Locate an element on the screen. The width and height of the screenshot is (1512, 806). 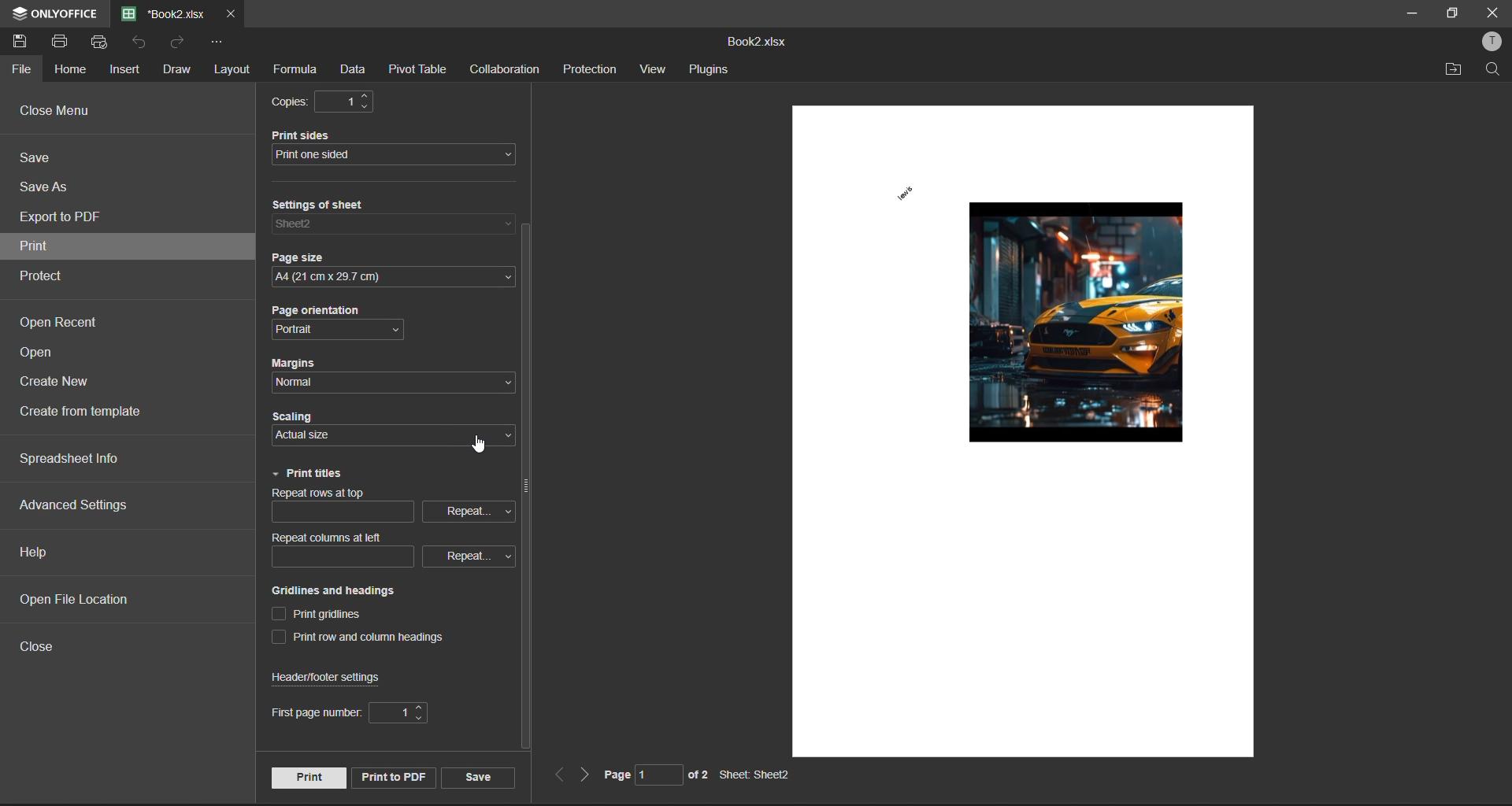
export to pdf is located at coordinates (65, 219).